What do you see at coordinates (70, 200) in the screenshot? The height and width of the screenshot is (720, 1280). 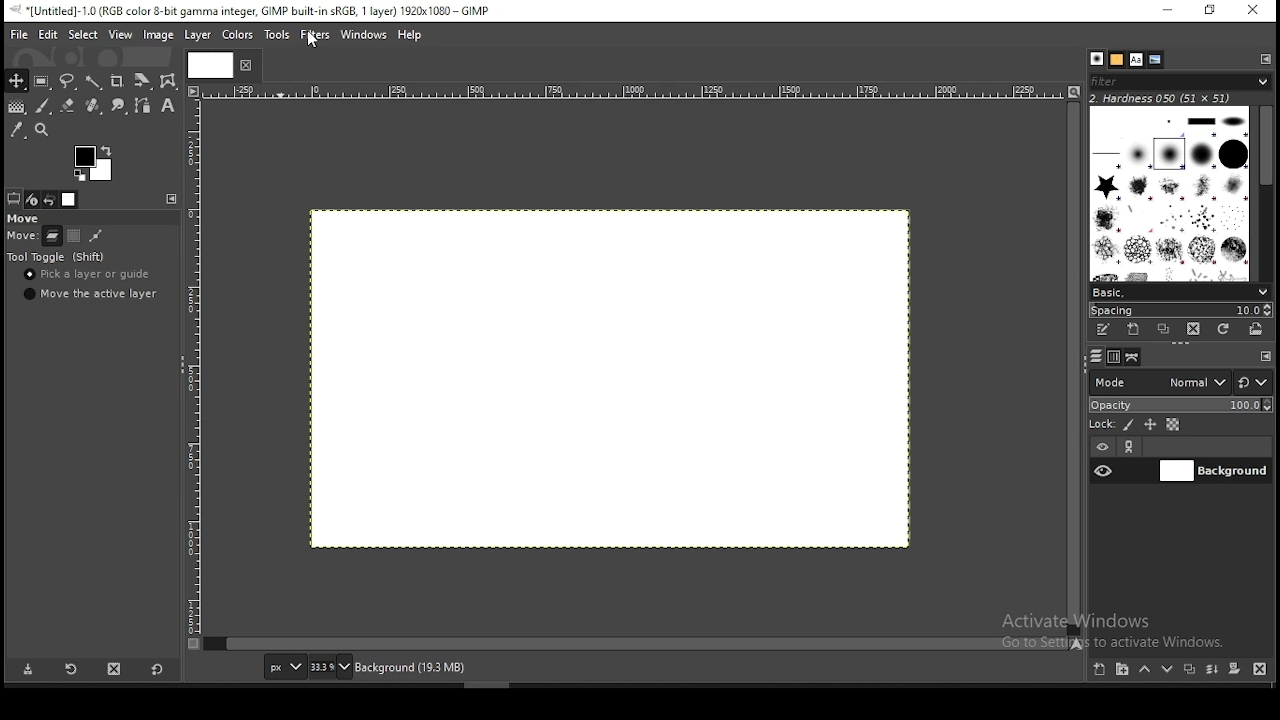 I see `images` at bounding box center [70, 200].